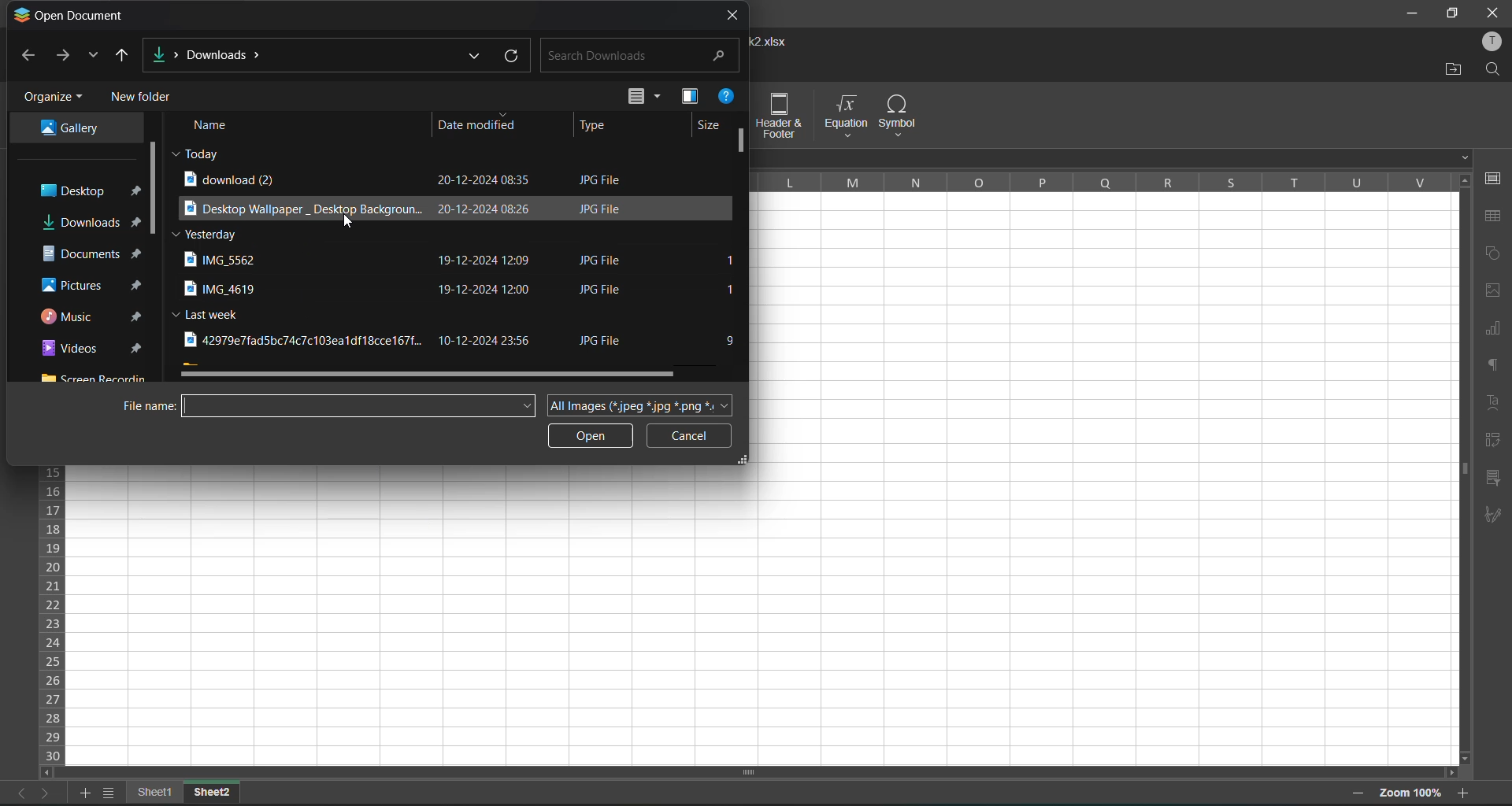 Image resolution: width=1512 pixels, height=806 pixels. What do you see at coordinates (745, 252) in the screenshot?
I see `scroll bar` at bounding box center [745, 252].